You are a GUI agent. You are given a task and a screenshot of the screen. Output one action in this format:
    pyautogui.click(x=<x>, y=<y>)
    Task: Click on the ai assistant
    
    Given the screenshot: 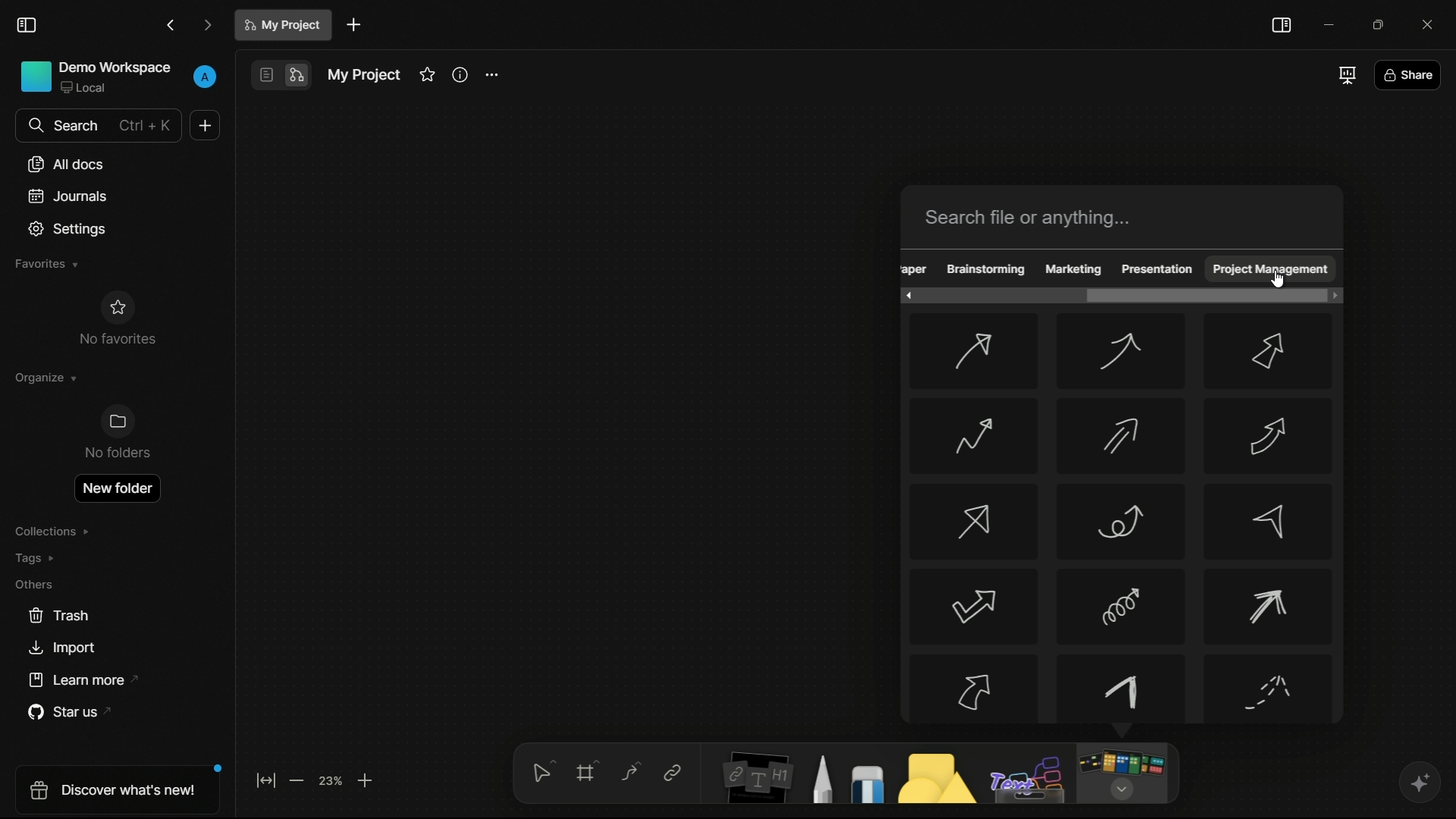 What is the action you would take?
    pyautogui.click(x=1419, y=783)
    